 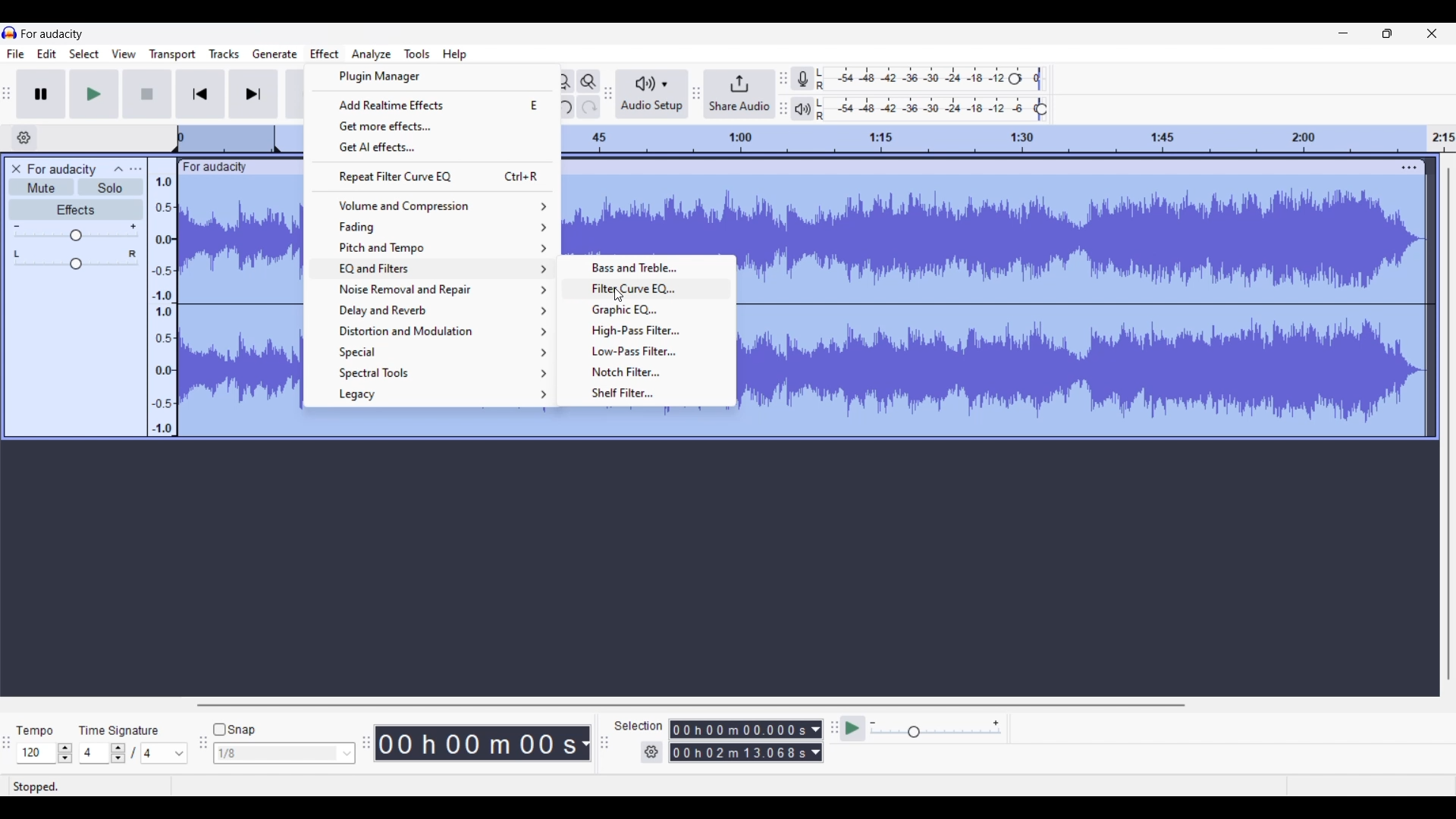 What do you see at coordinates (1042, 109) in the screenshot?
I see `Playback level header` at bounding box center [1042, 109].